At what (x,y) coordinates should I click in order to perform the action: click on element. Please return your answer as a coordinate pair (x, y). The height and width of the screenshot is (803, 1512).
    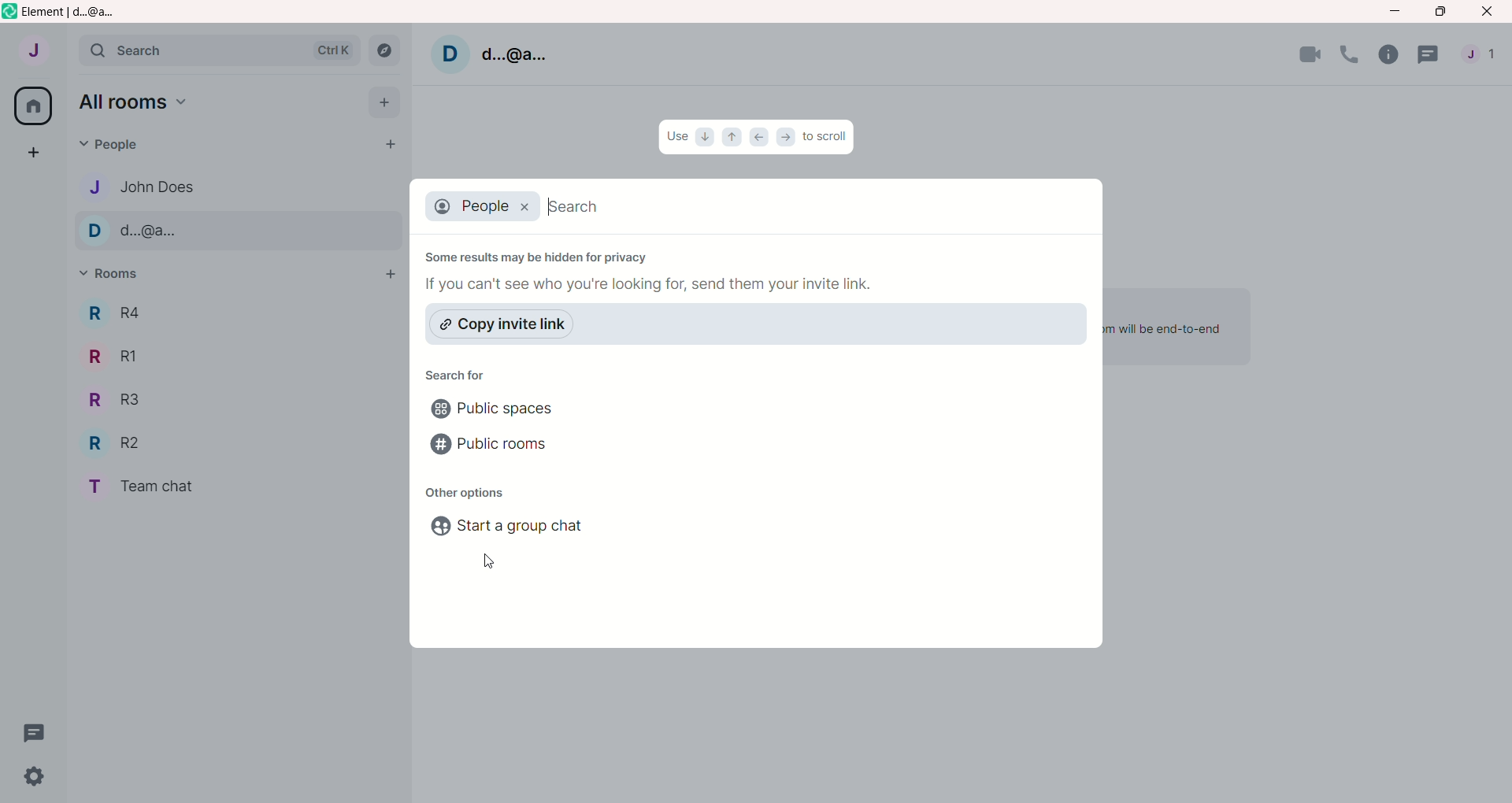
    Looking at the image, I should click on (78, 13).